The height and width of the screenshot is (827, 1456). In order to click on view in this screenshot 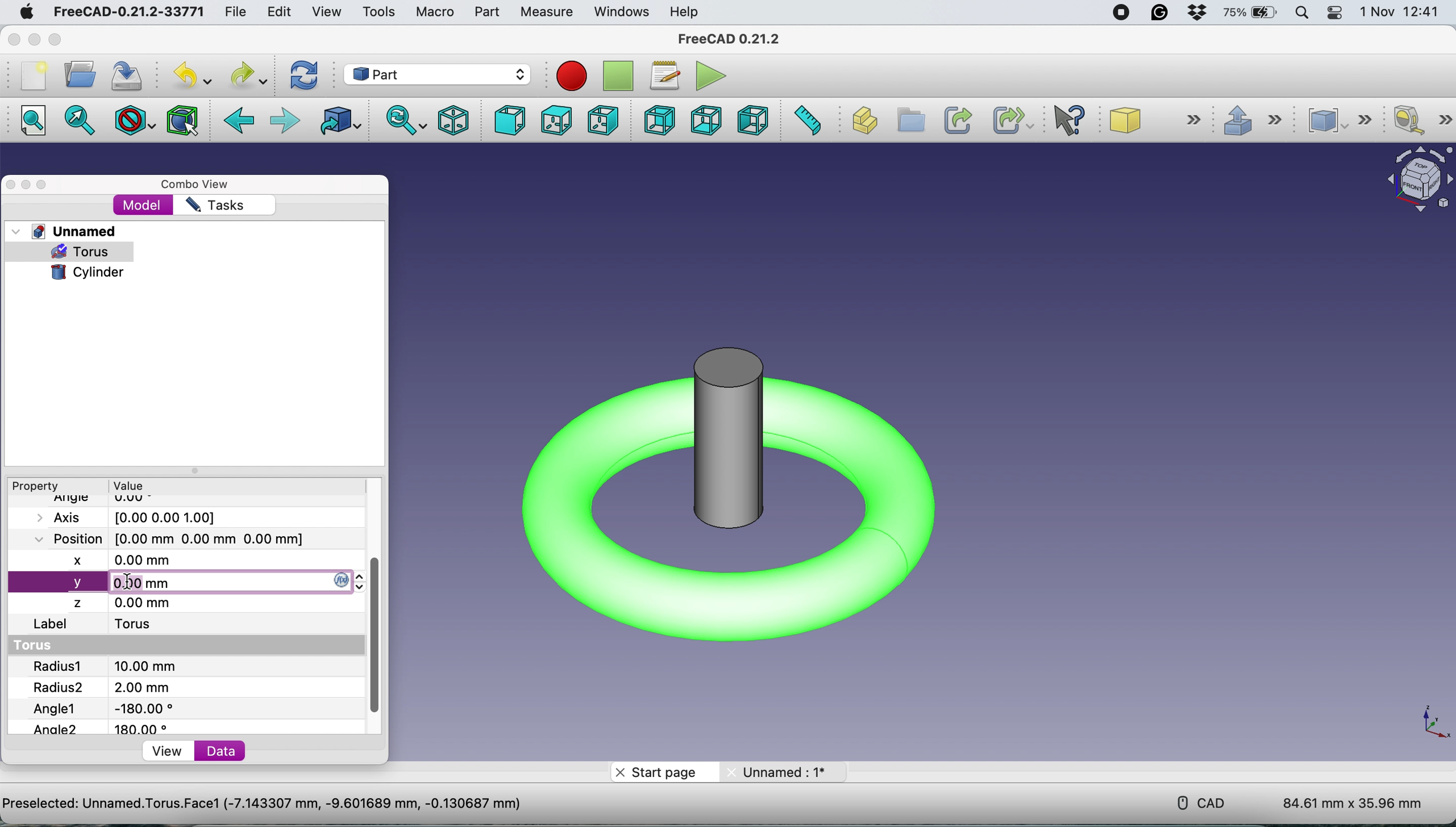, I will do `click(168, 751)`.